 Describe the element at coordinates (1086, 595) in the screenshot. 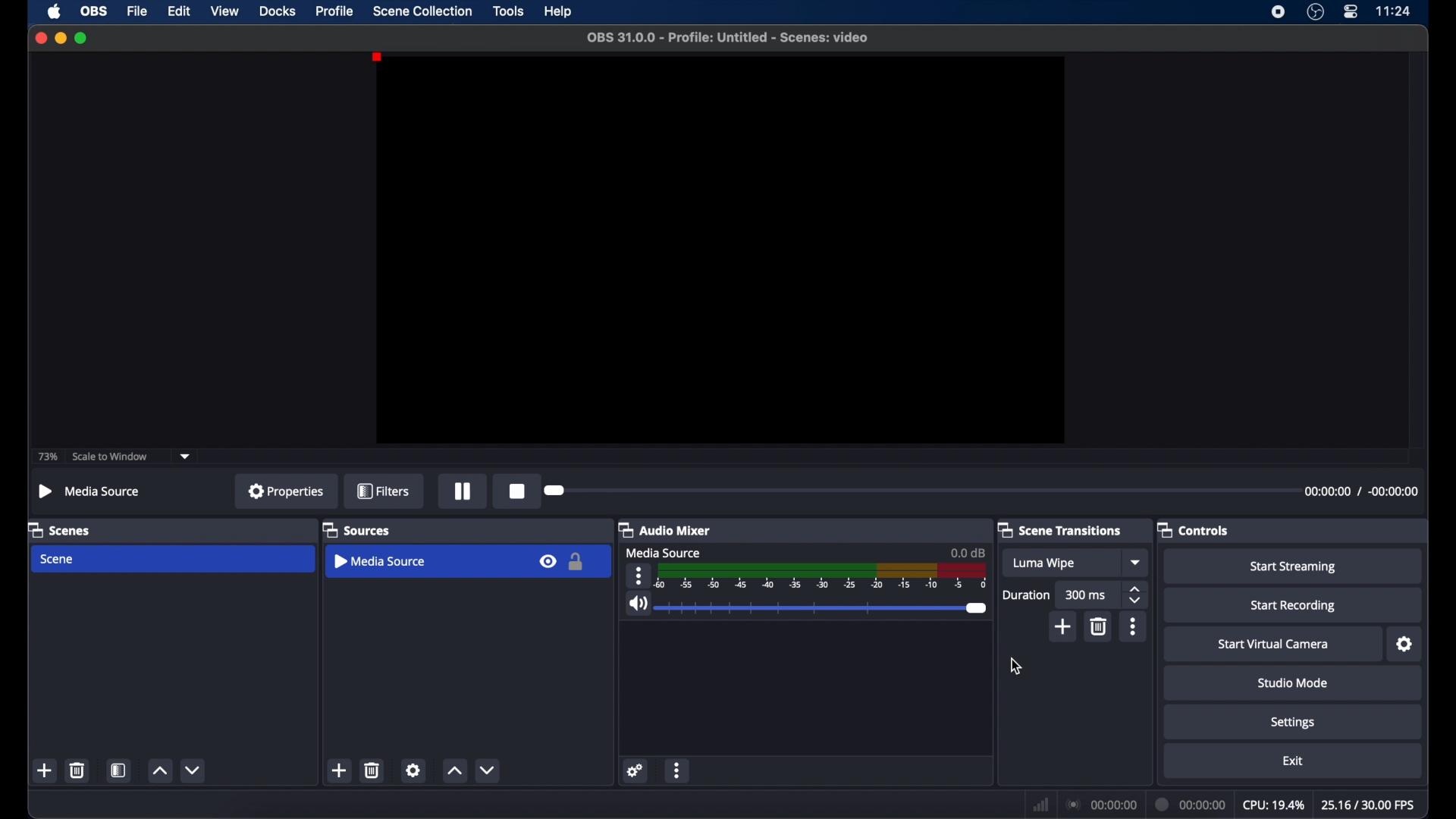

I see `300 ms` at that location.